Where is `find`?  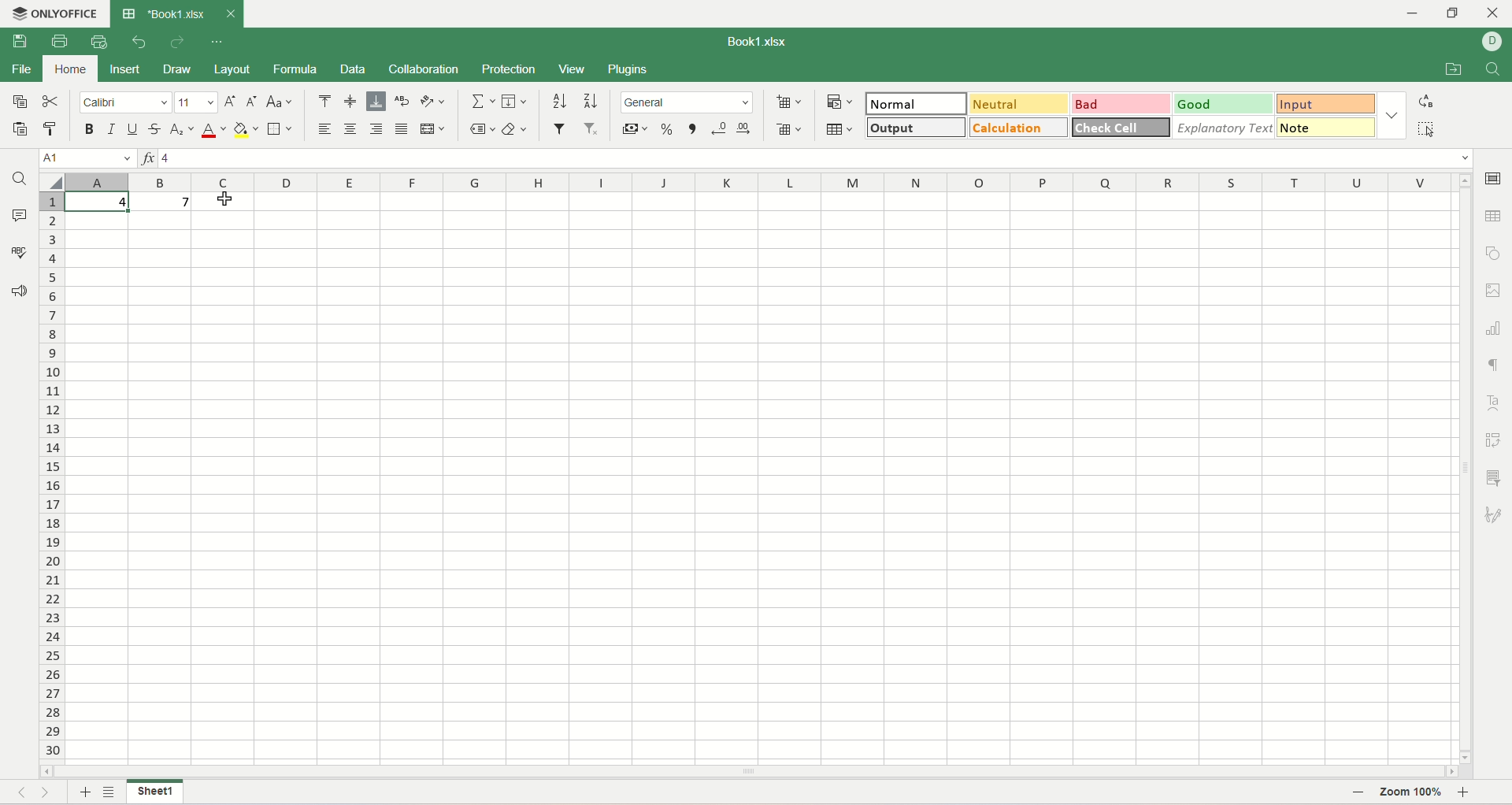
find is located at coordinates (1495, 69).